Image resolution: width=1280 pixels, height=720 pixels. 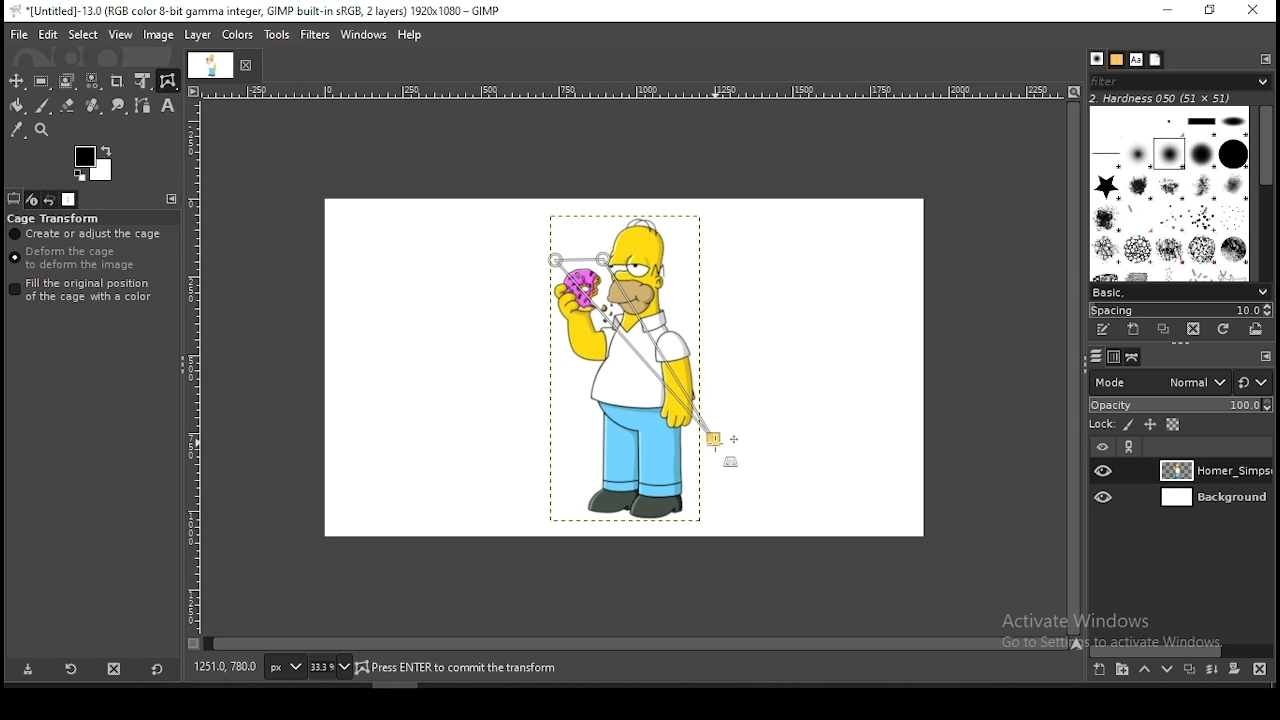 I want to click on document history, so click(x=1155, y=60).